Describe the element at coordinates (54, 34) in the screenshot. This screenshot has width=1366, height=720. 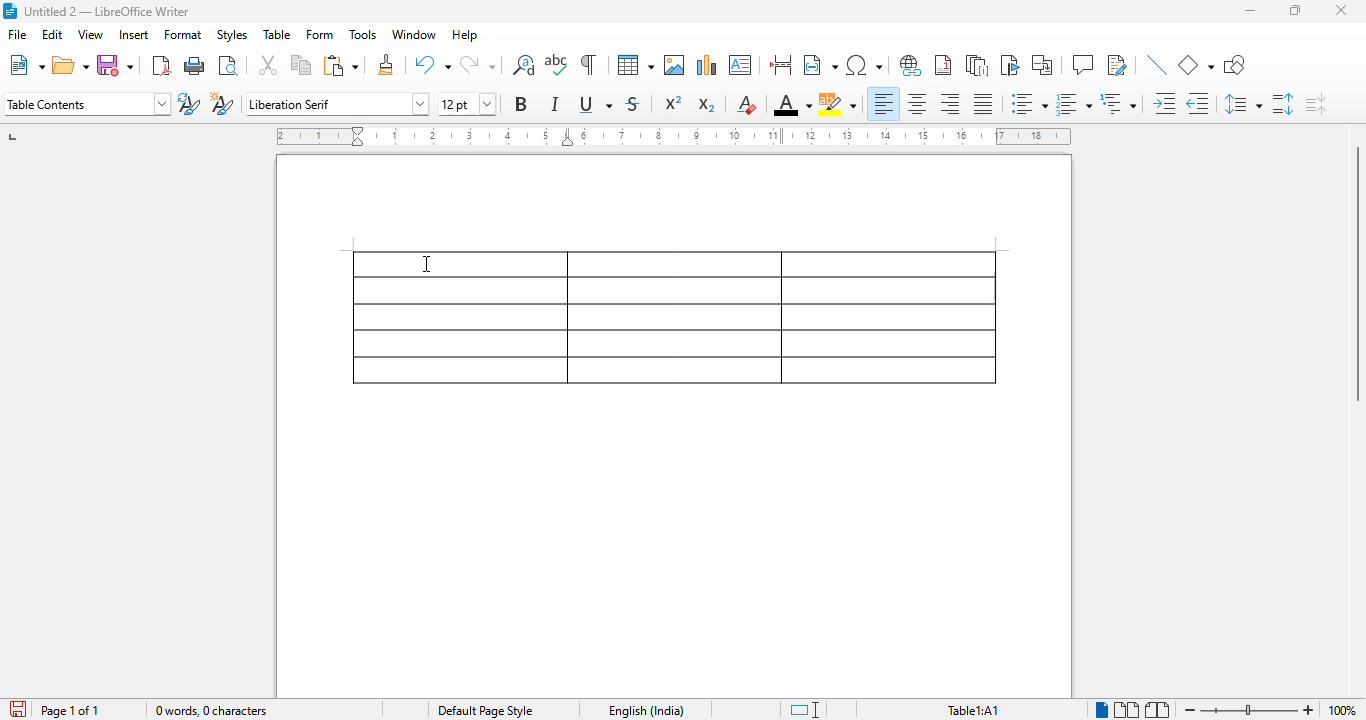
I see `edit` at that location.